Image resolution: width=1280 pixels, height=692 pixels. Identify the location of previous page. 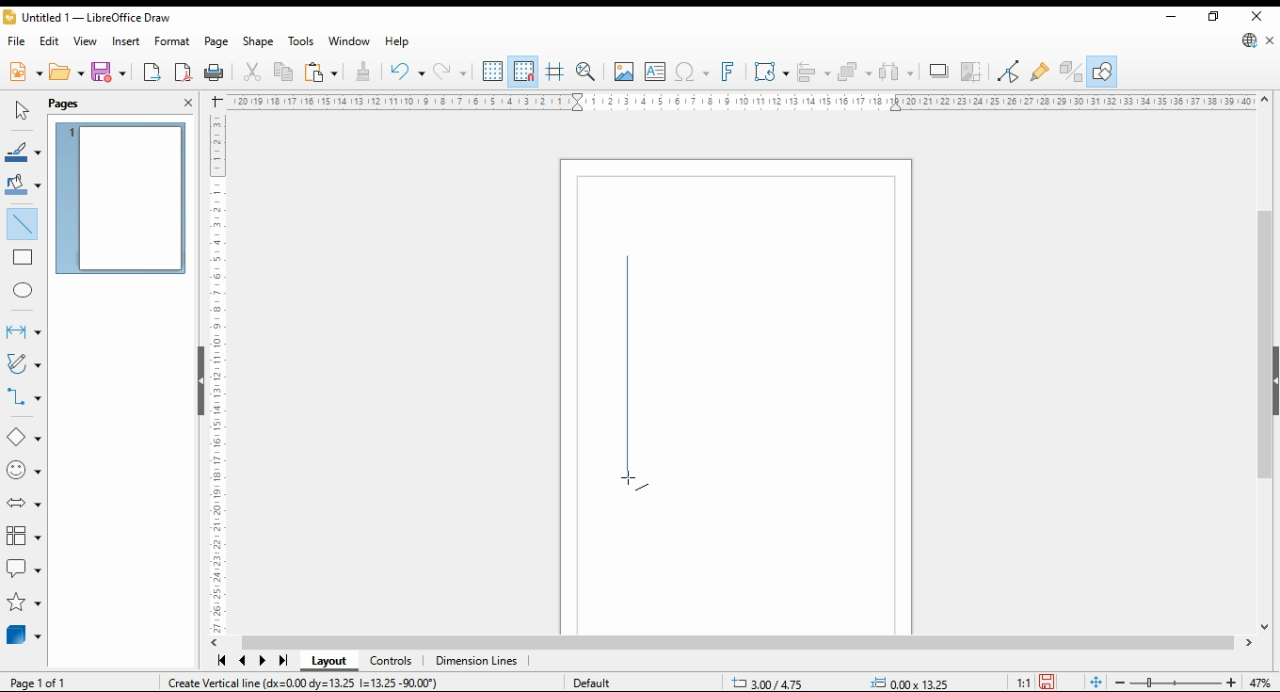
(244, 662).